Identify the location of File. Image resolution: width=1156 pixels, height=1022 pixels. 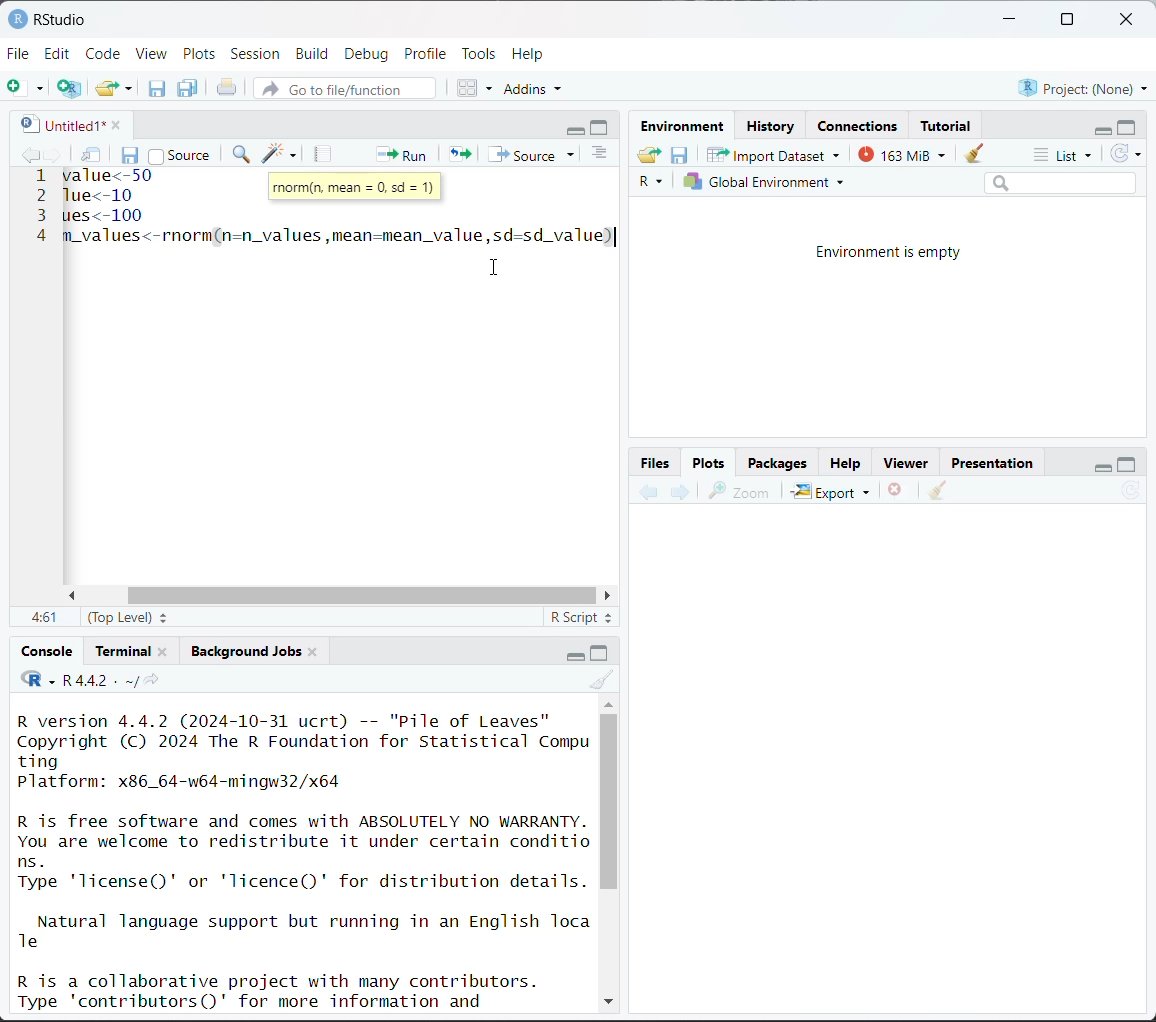
(19, 53).